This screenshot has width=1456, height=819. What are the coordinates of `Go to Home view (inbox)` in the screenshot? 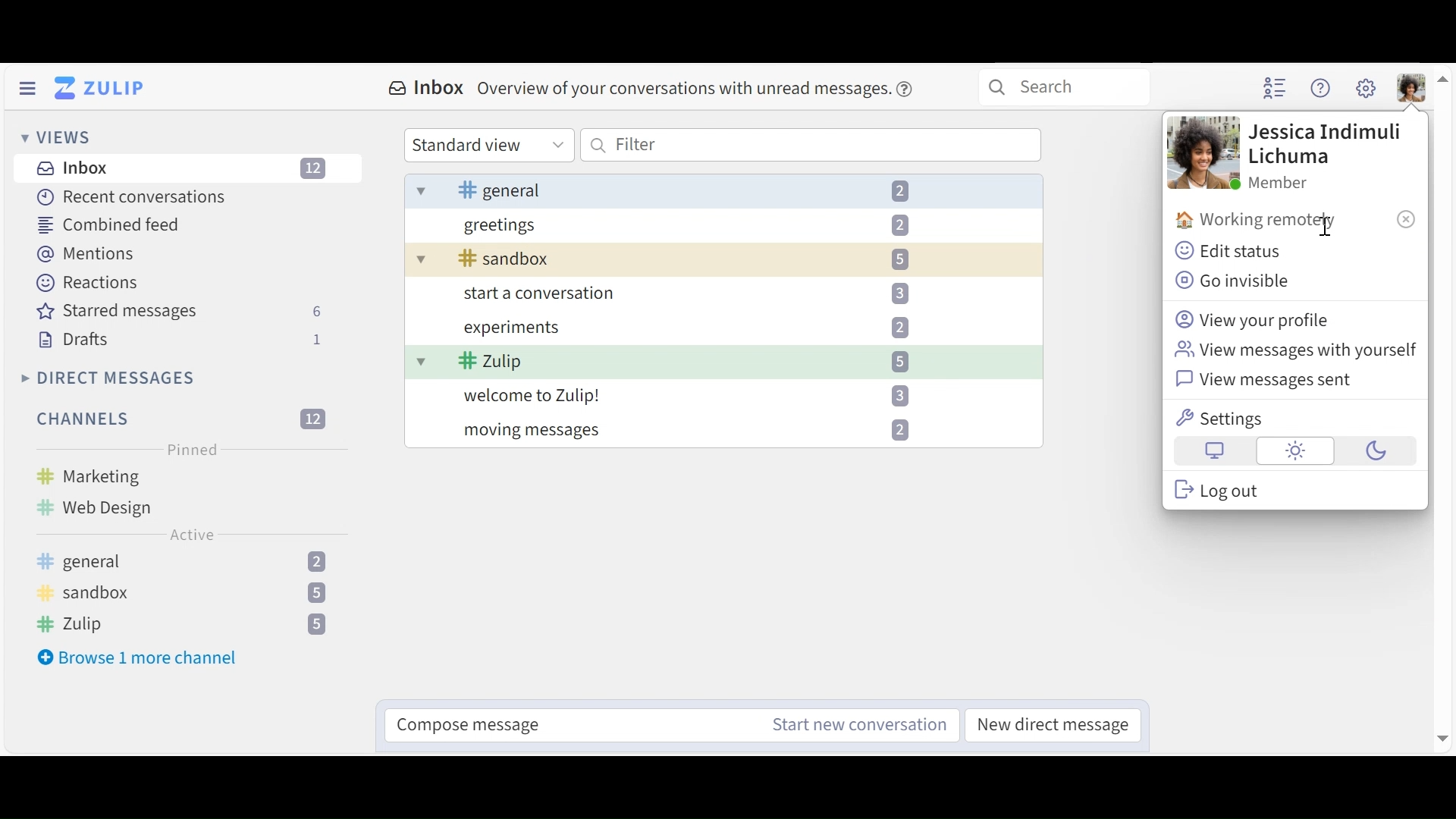 It's located at (103, 86).